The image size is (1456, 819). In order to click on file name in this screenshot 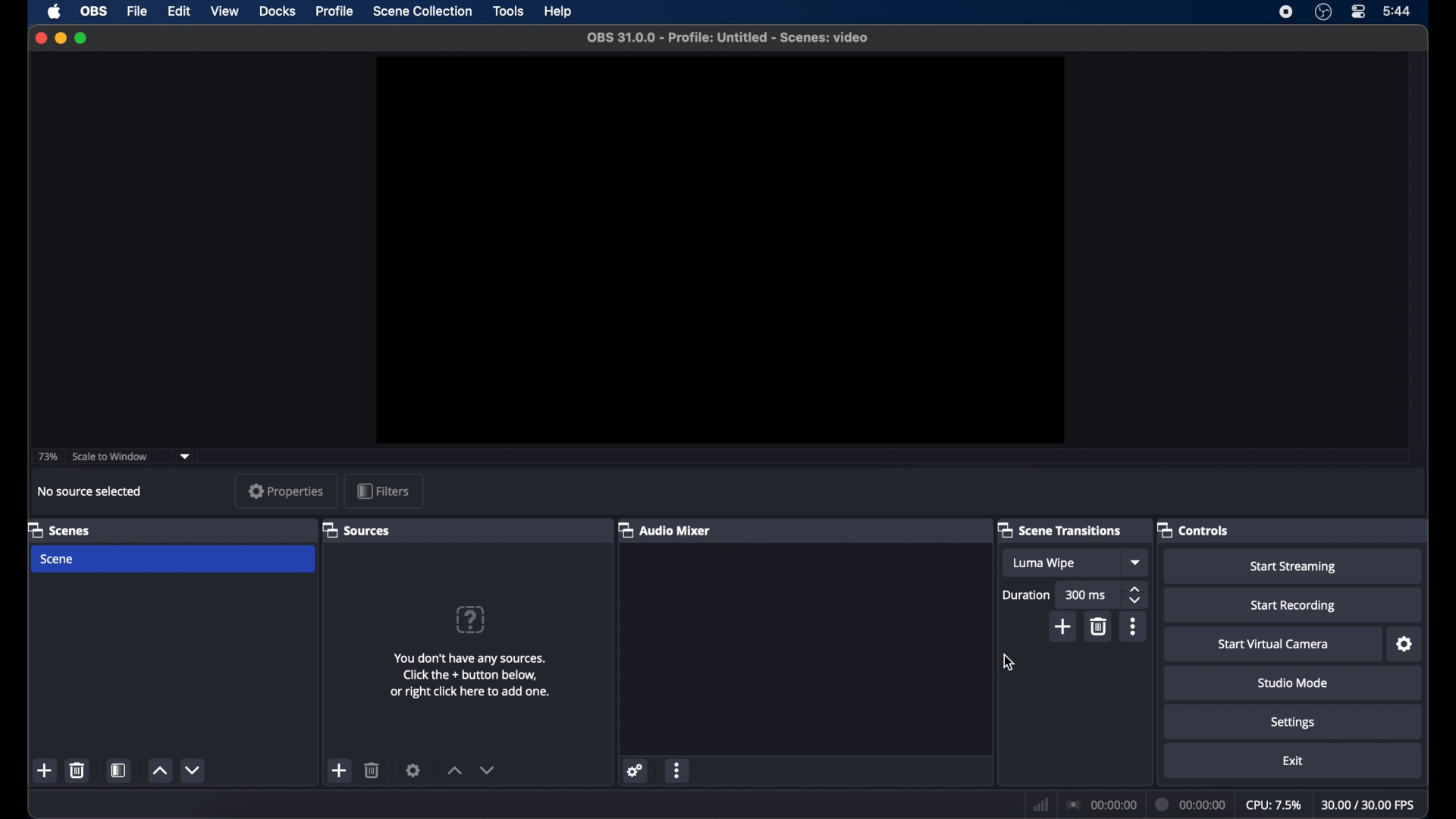, I will do `click(730, 37)`.